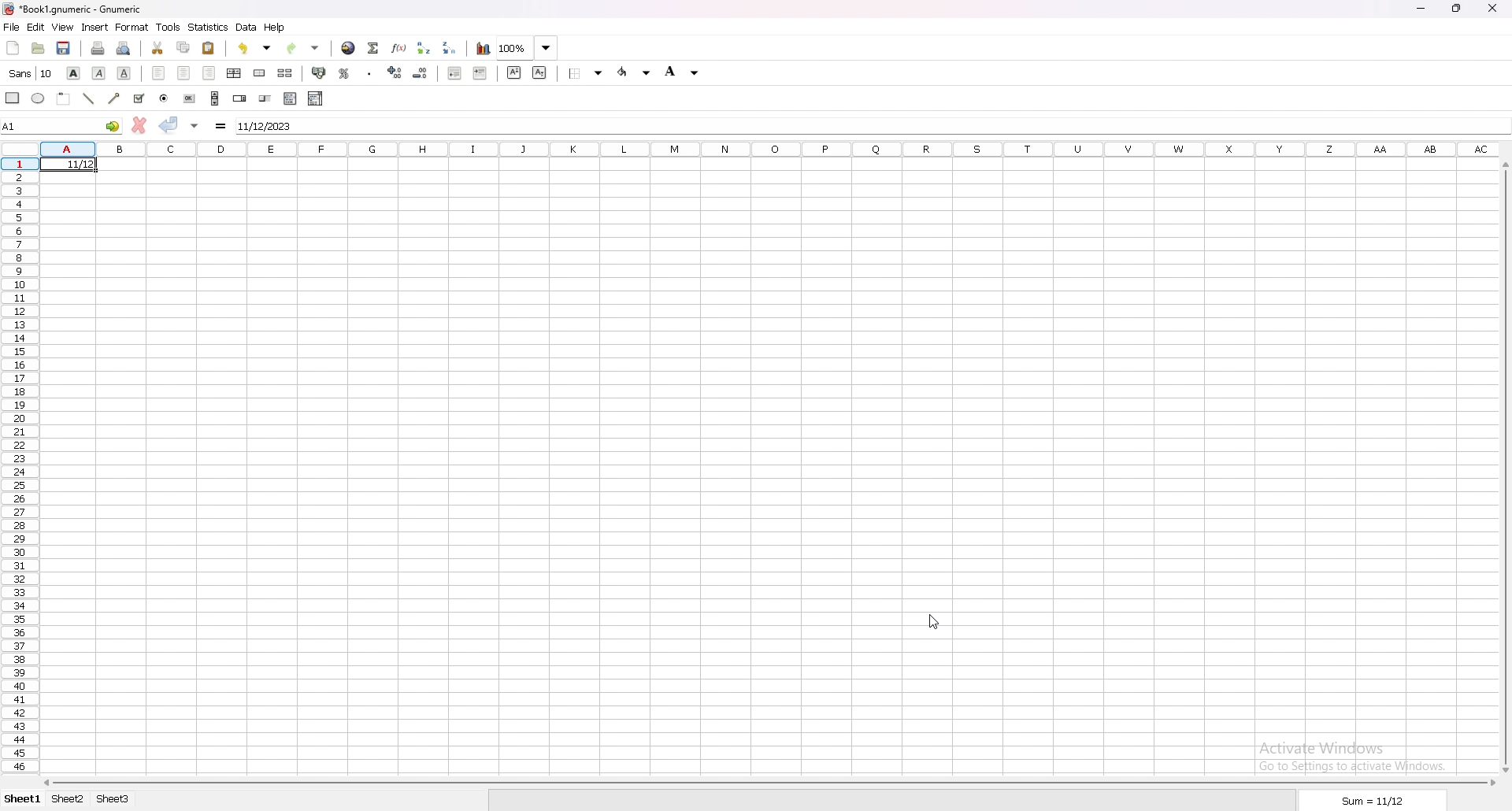 This screenshot has height=811, width=1512. What do you see at coordinates (165, 98) in the screenshot?
I see `radio button` at bounding box center [165, 98].